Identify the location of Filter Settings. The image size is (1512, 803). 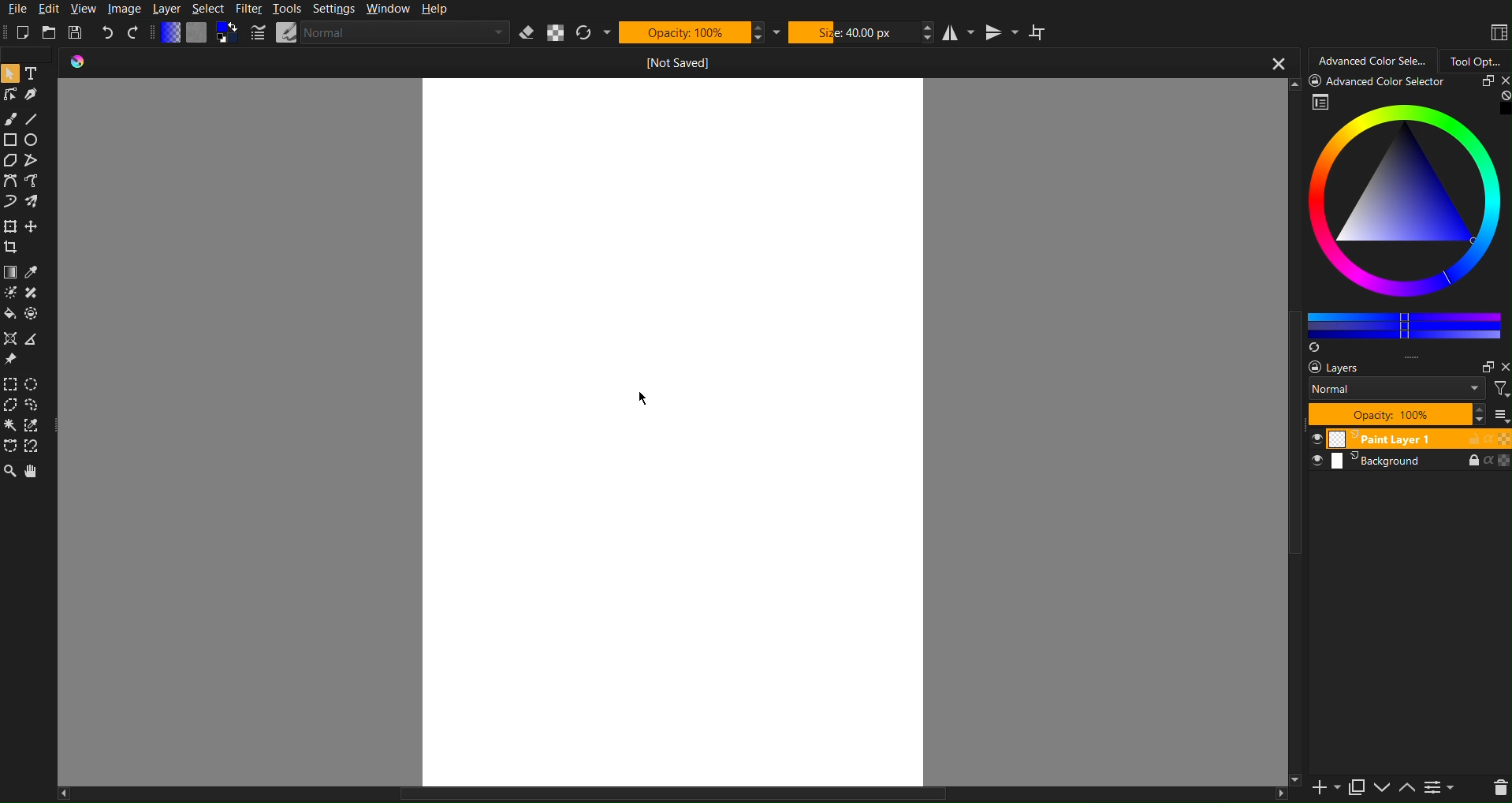
(1439, 787).